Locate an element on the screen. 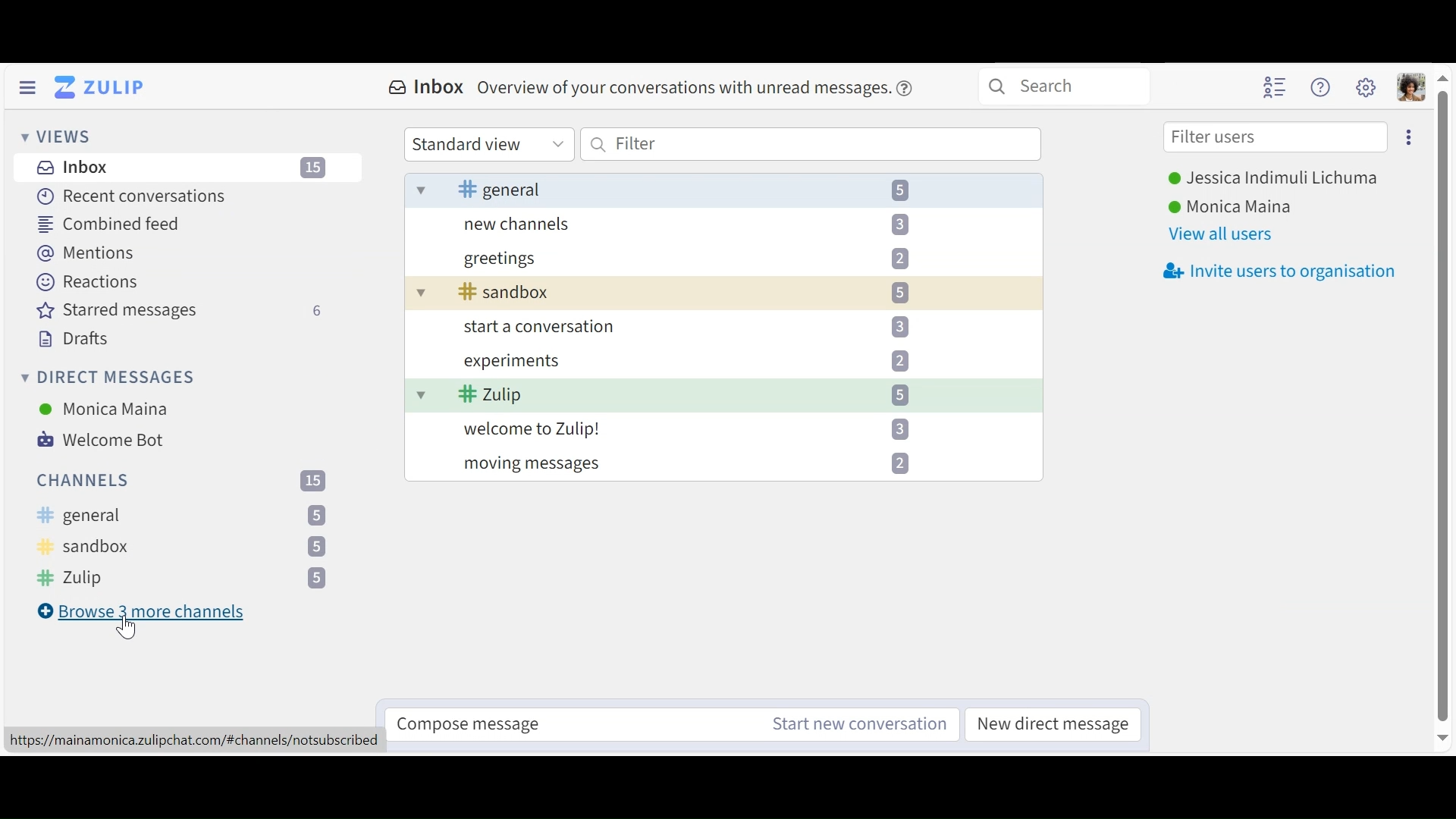 This screenshot has height=819, width=1456. Starred messages is located at coordinates (184, 311).